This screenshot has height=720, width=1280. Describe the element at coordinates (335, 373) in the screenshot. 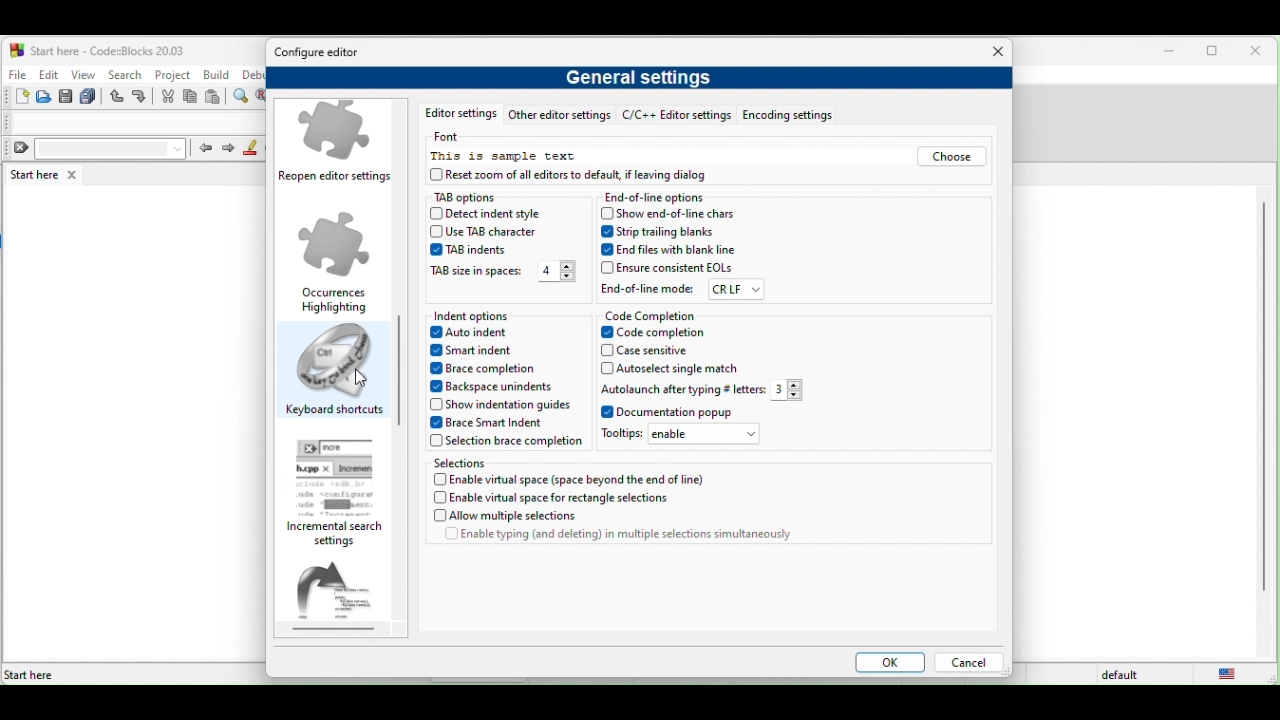

I see `keyboard shortcuts` at that location.